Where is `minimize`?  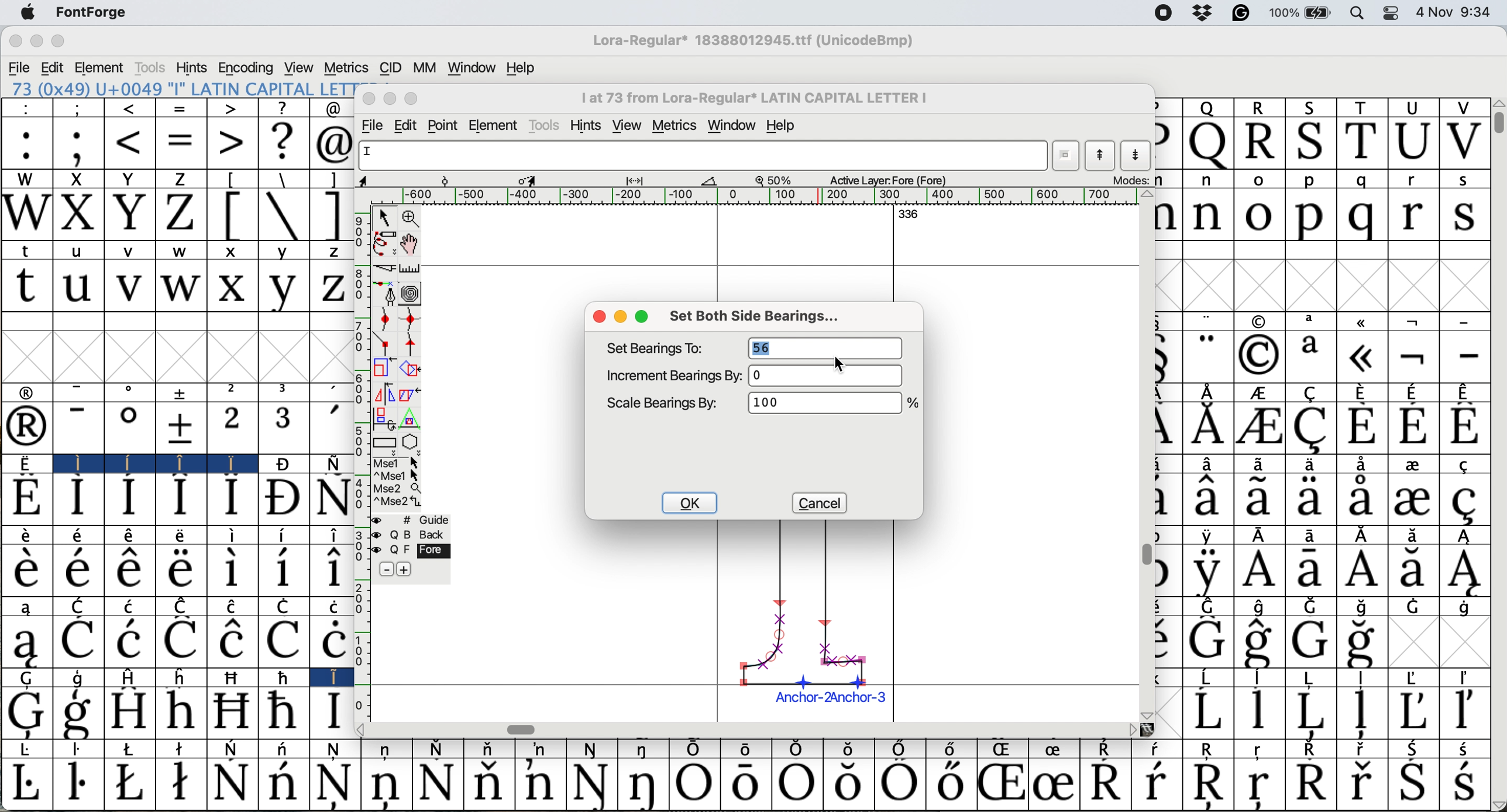
minimize is located at coordinates (35, 40).